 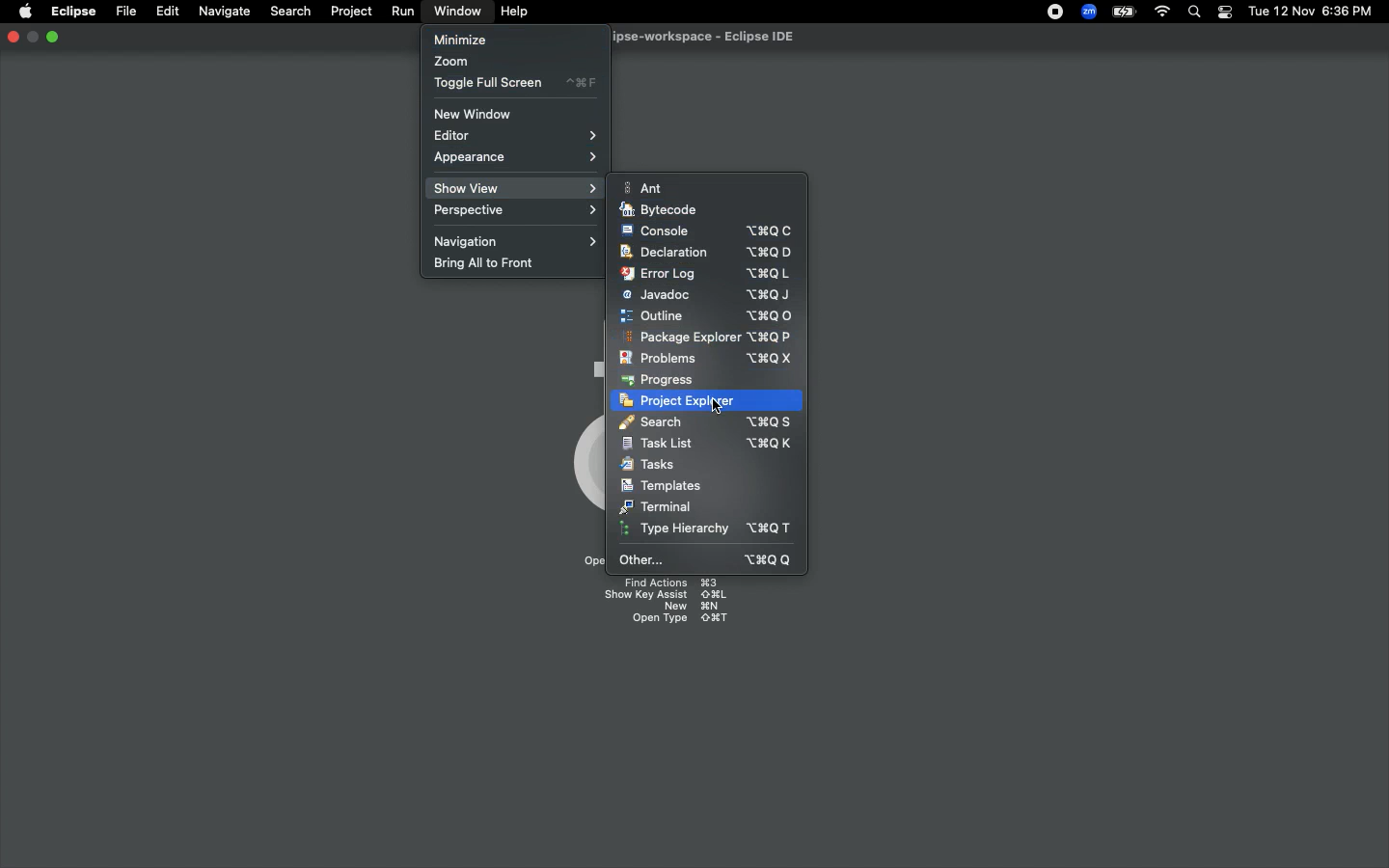 What do you see at coordinates (493, 264) in the screenshot?
I see `Bring all to front` at bounding box center [493, 264].